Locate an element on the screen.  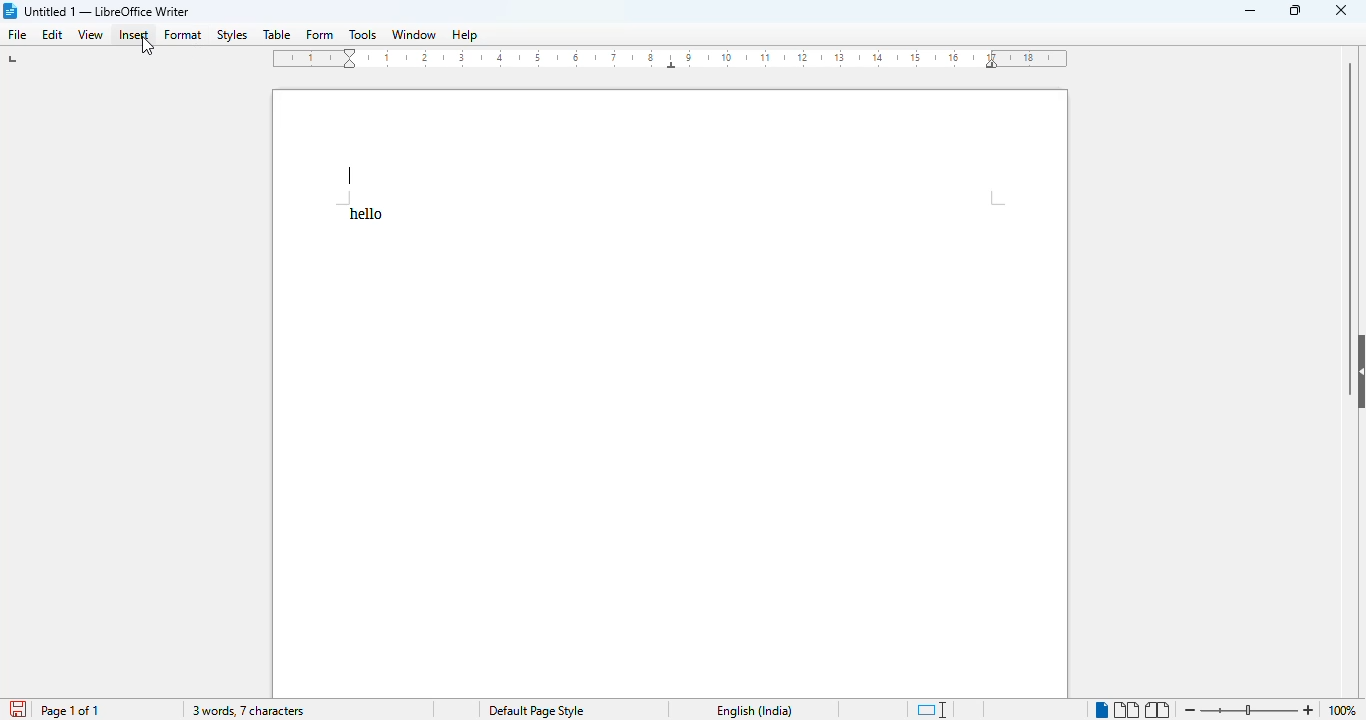
page 1 of 1 is located at coordinates (70, 711).